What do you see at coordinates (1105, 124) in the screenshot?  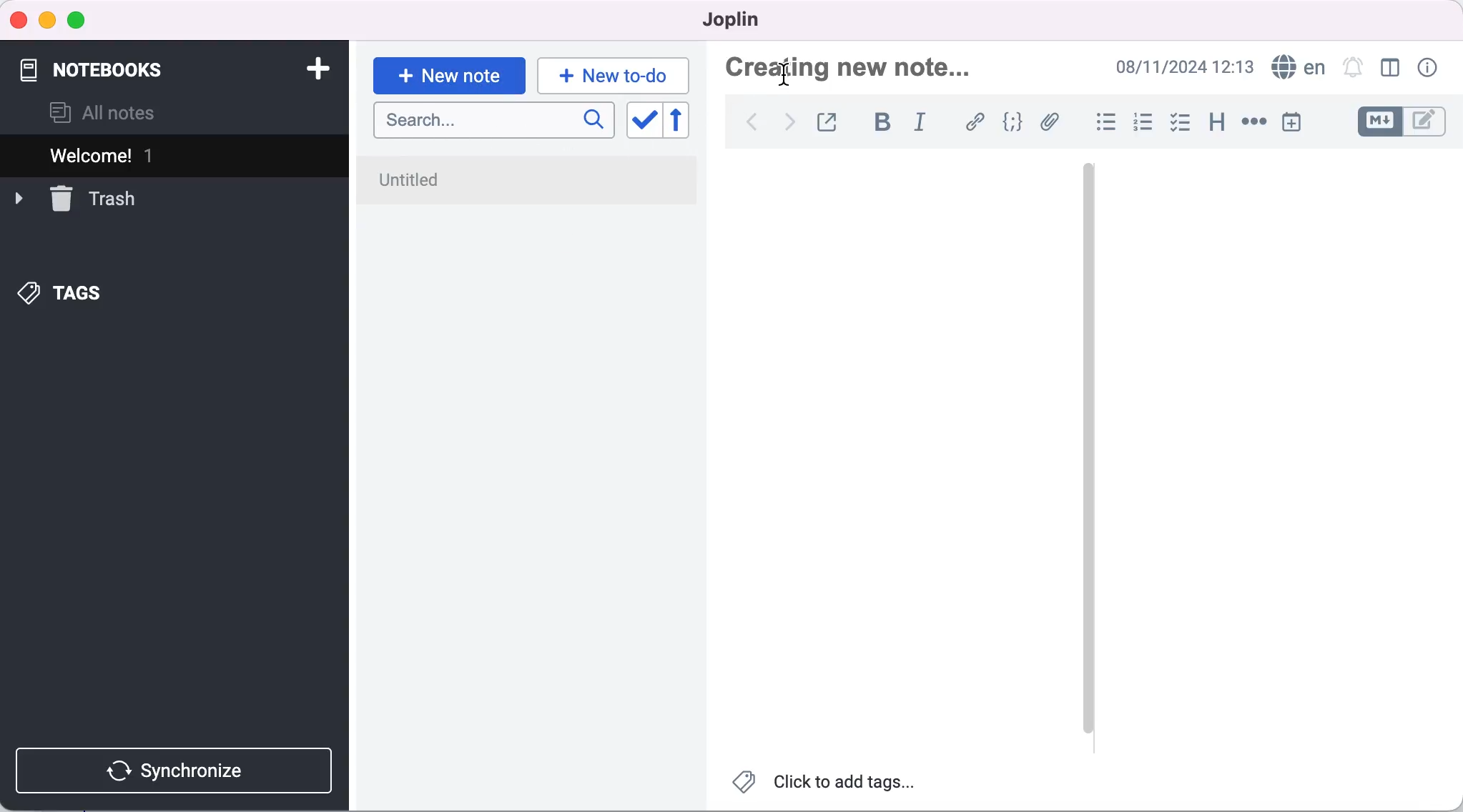 I see `bulleted list` at bounding box center [1105, 124].